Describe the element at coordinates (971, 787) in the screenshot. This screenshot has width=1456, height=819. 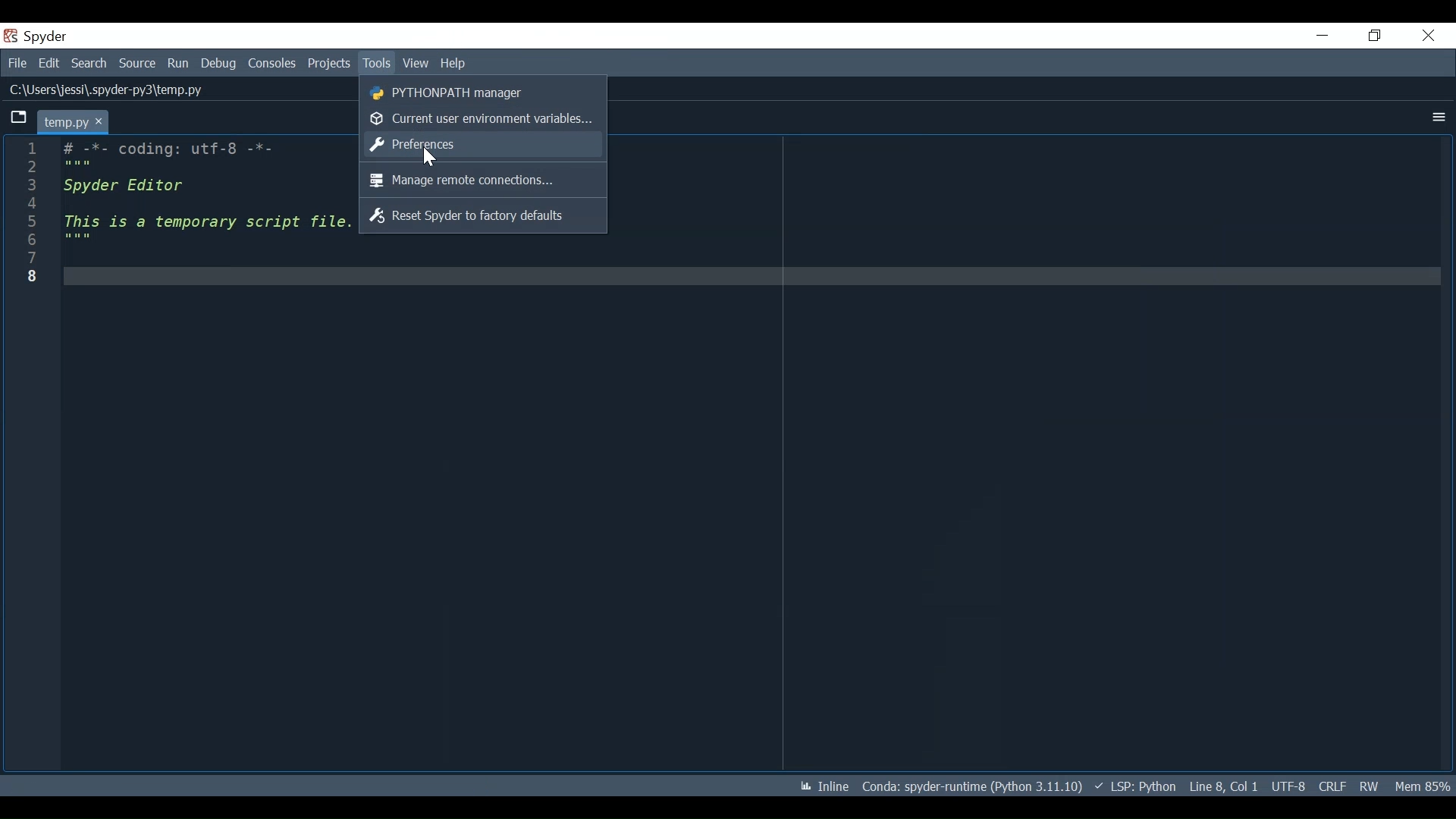
I see `Conda Environment Indicator` at that location.